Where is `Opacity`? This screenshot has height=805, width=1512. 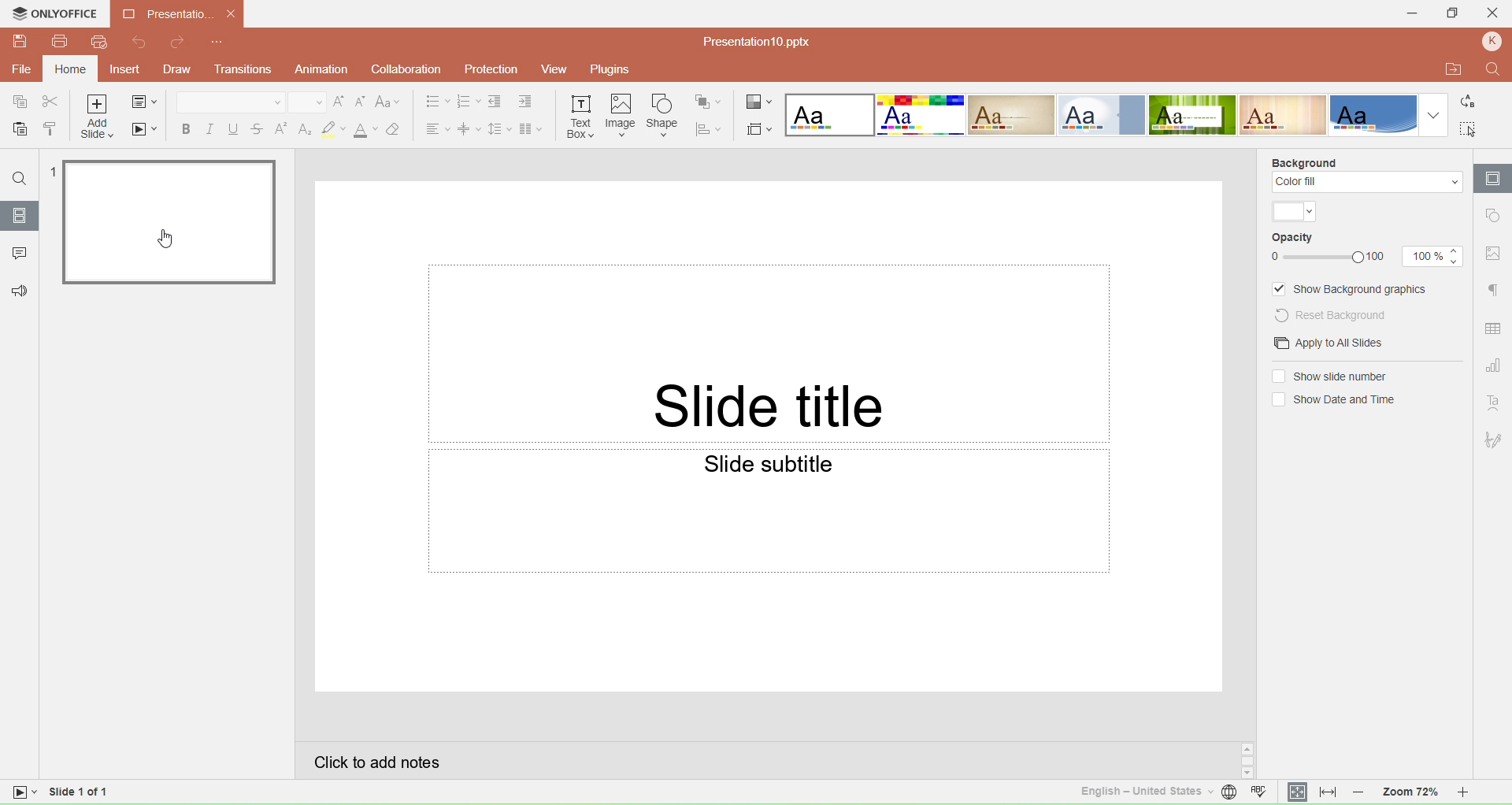
Opacity is located at coordinates (1294, 239).